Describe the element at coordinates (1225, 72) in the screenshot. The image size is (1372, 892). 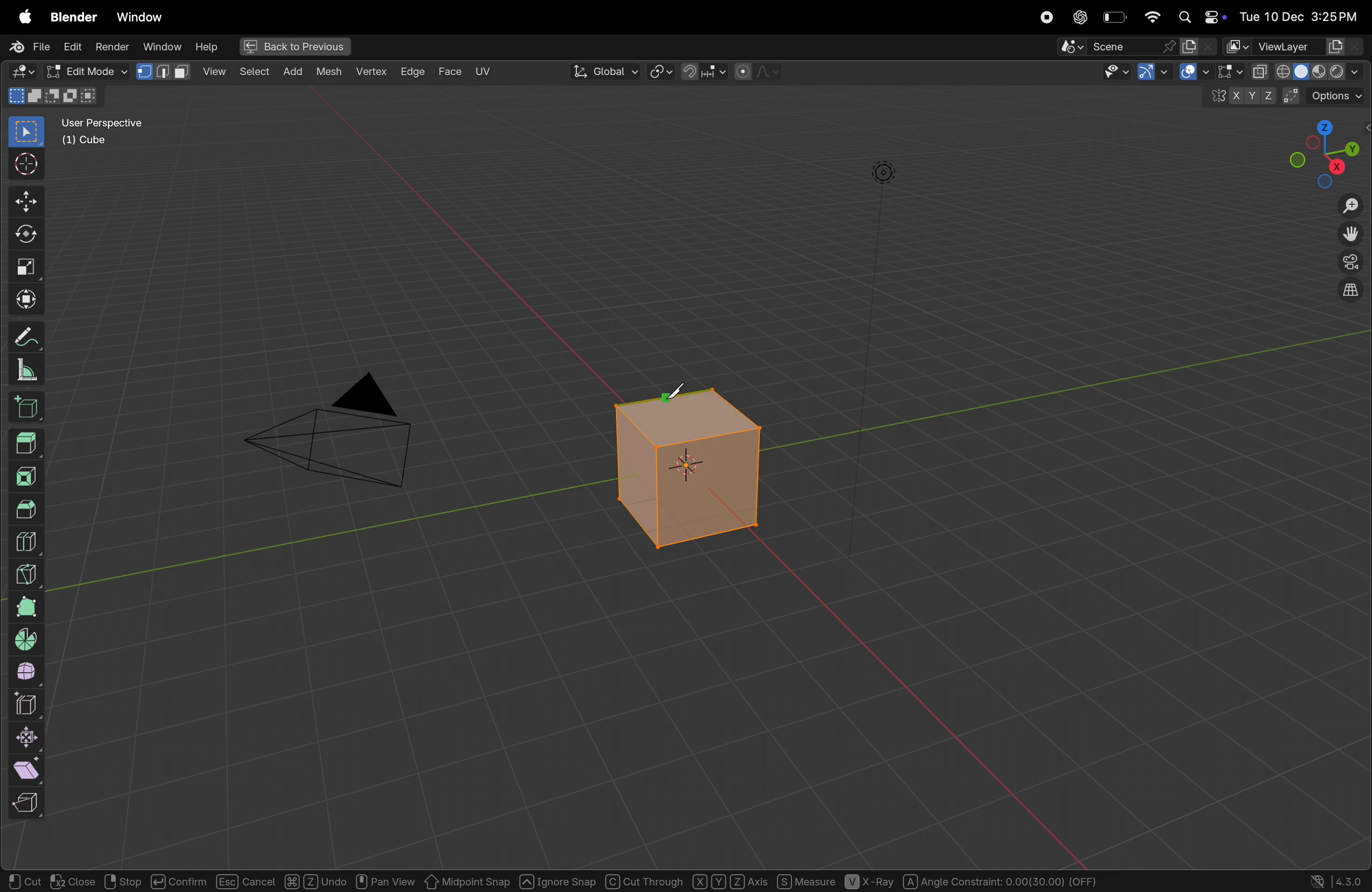
I see `show overlays` at that location.